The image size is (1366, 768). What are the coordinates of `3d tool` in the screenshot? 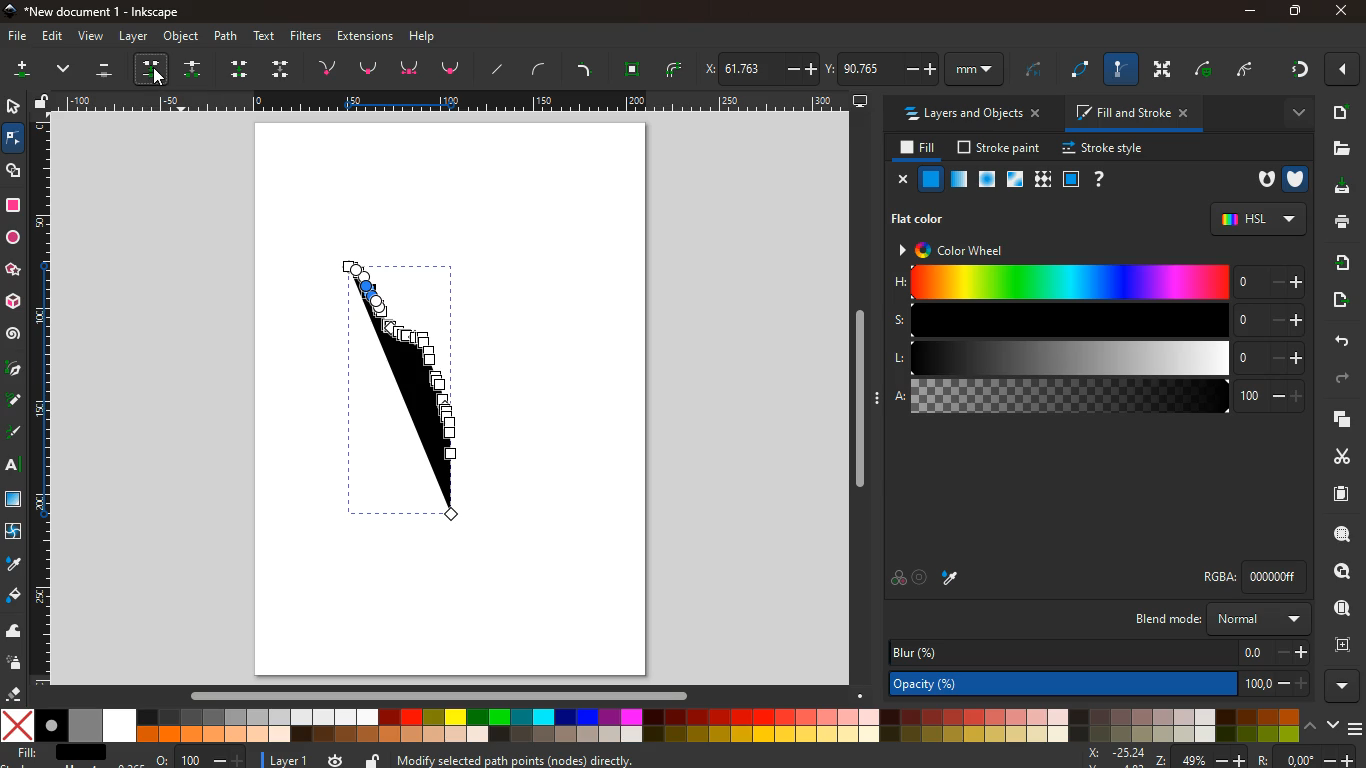 It's located at (15, 302).